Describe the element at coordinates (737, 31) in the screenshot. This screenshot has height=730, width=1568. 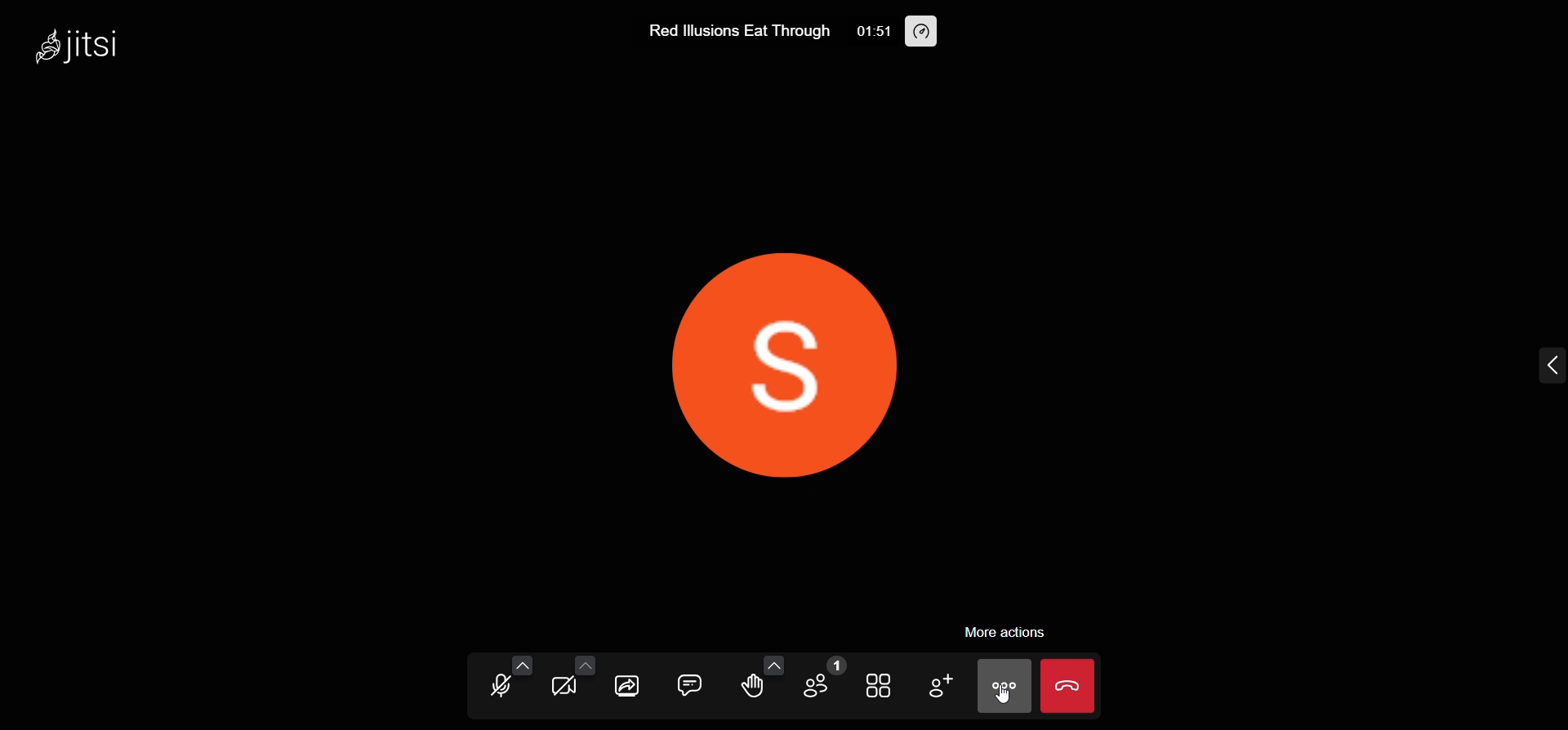
I see `Red lllusions Eat Through` at that location.